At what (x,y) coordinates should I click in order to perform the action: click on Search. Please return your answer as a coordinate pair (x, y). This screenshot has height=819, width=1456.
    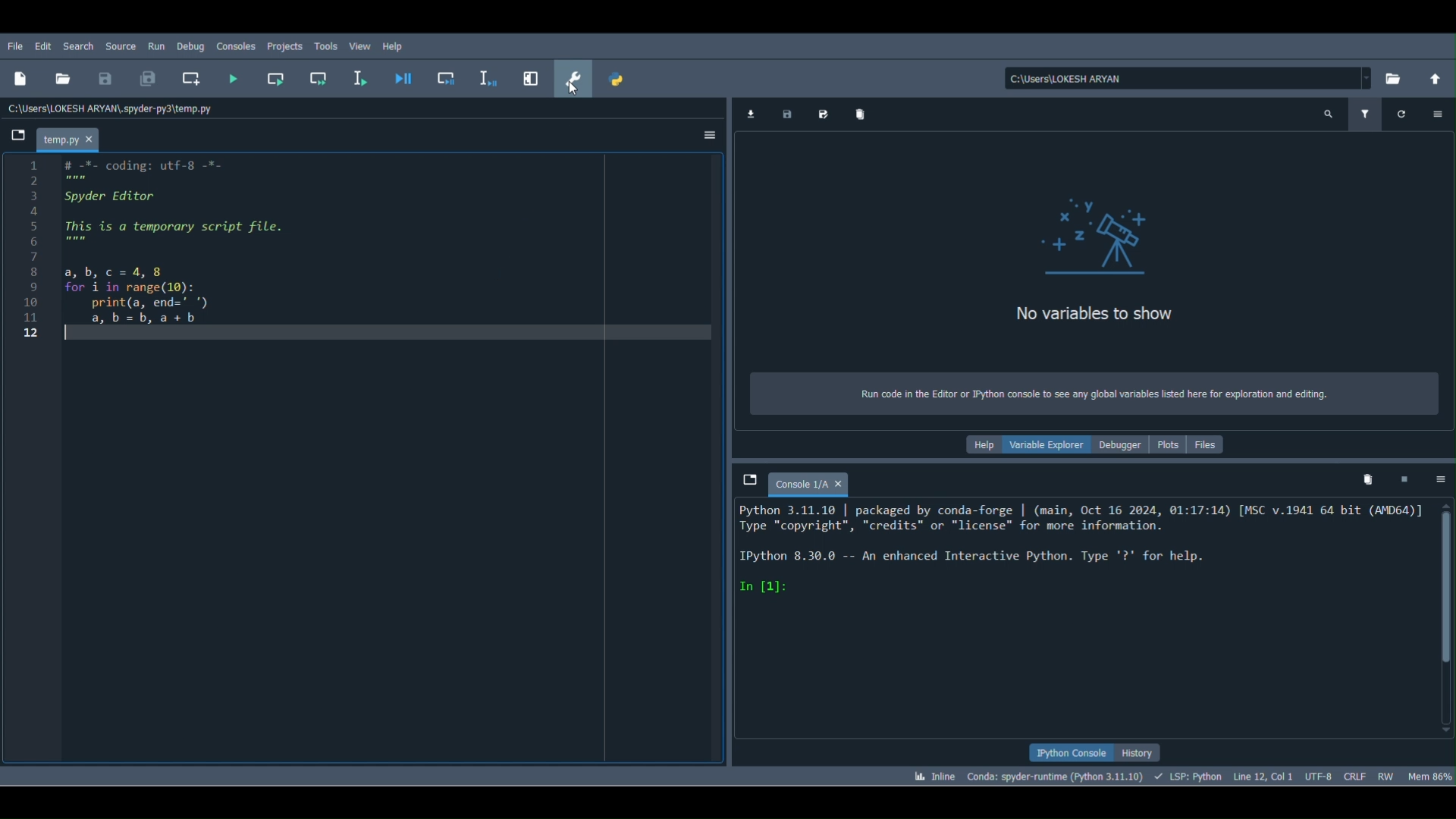
    Looking at the image, I should click on (81, 45).